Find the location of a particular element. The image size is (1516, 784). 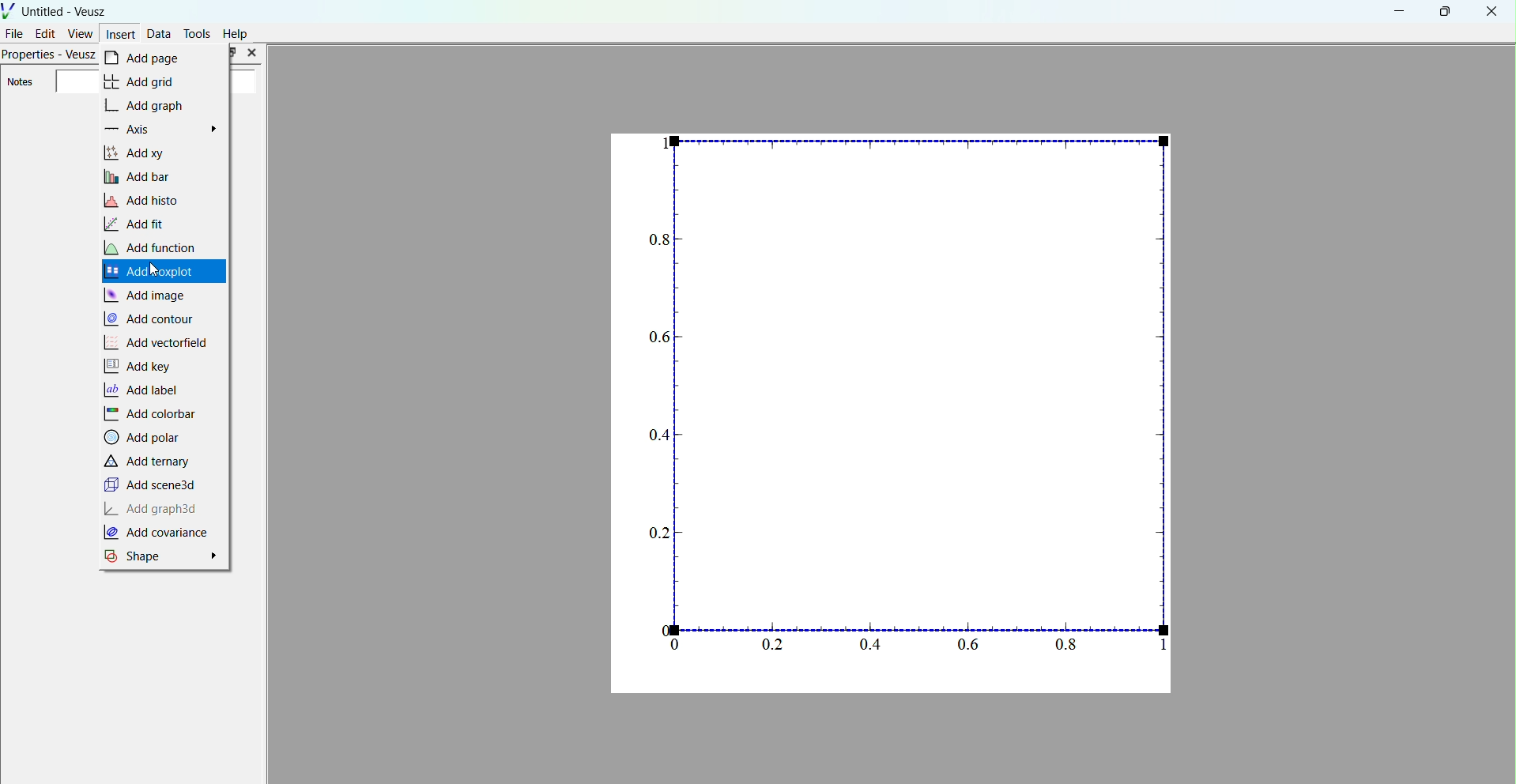

File is located at coordinates (15, 32).